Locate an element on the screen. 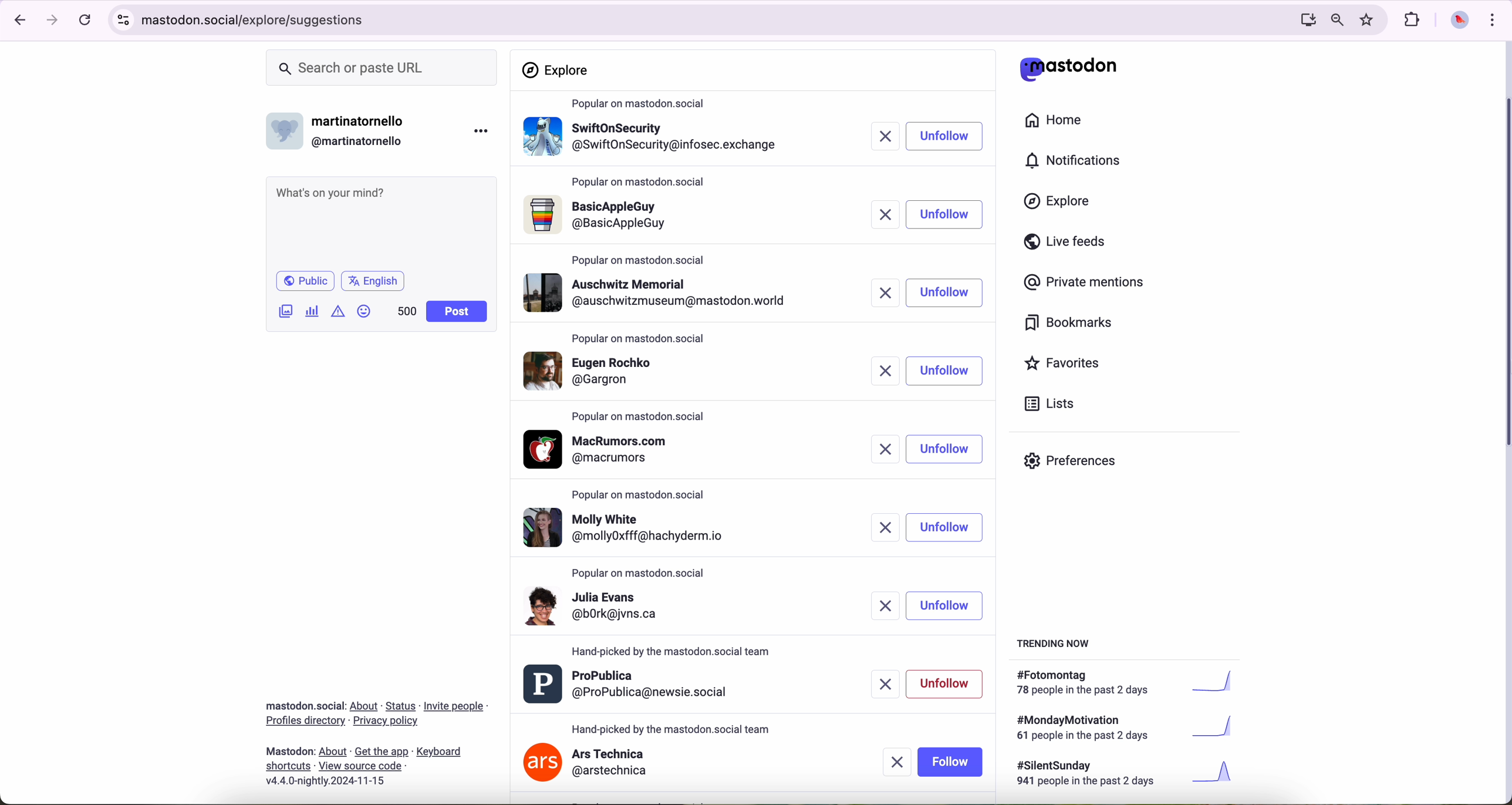  remove is located at coordinates (880, 681).